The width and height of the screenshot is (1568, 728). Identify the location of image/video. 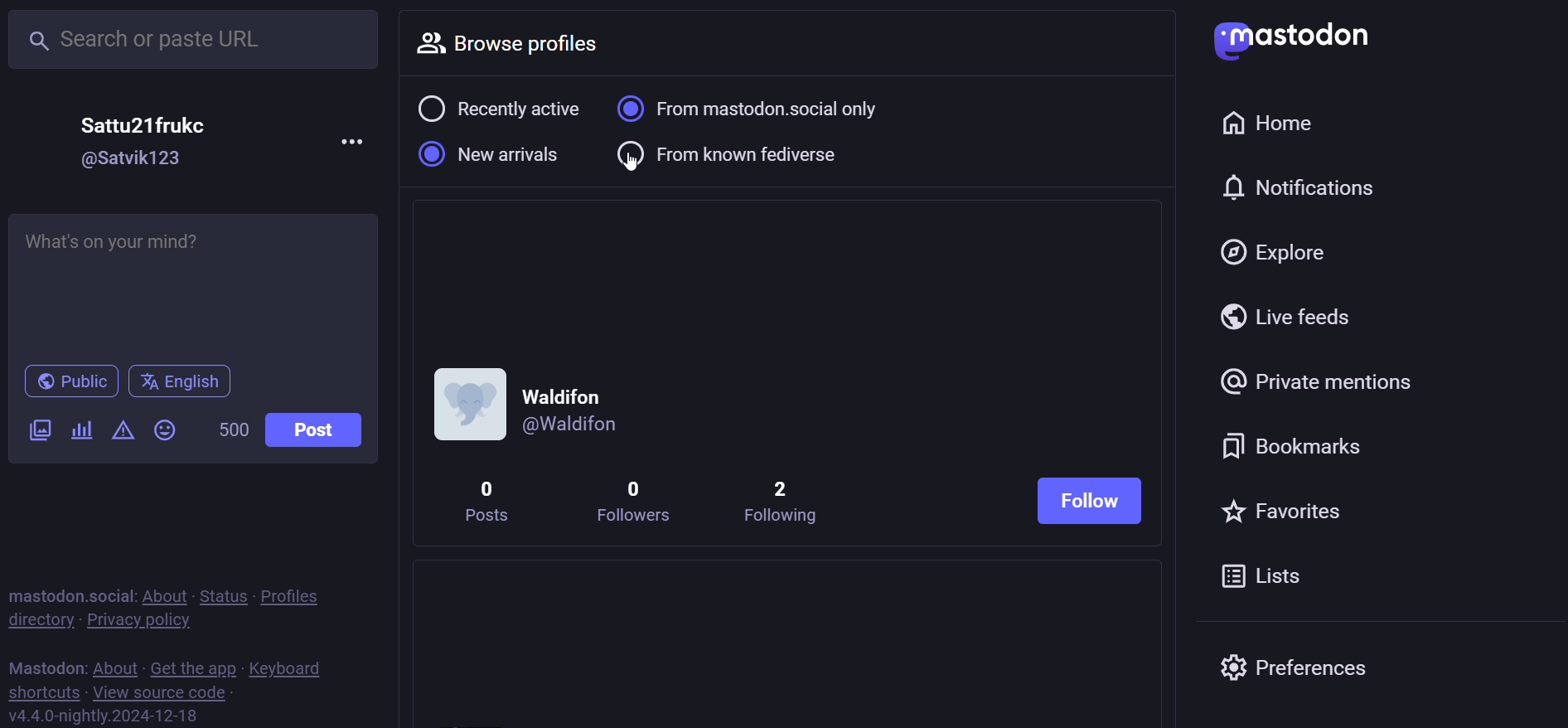
(38, 429).